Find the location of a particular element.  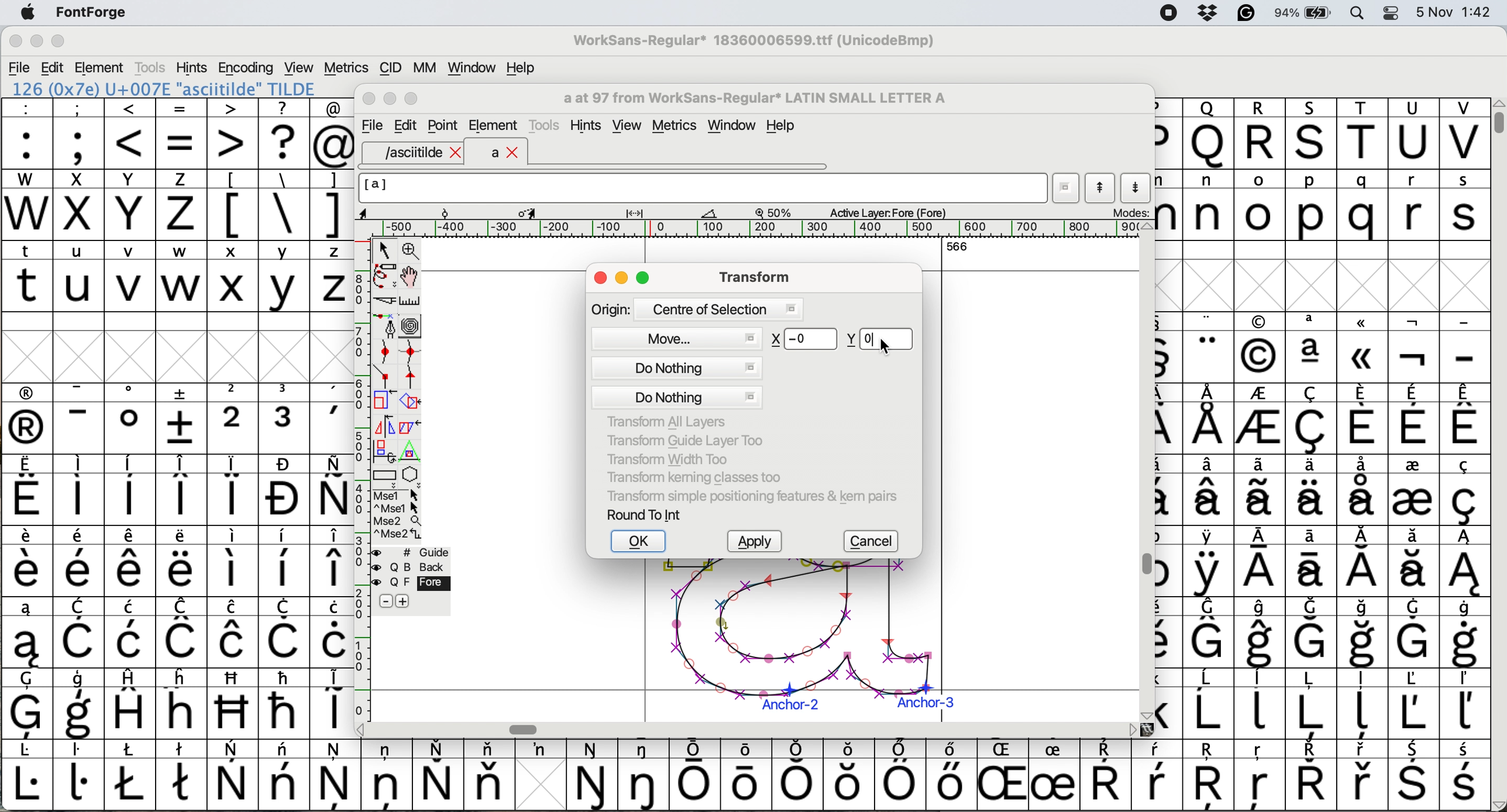

scale selection is located at coordinates (386, 400).